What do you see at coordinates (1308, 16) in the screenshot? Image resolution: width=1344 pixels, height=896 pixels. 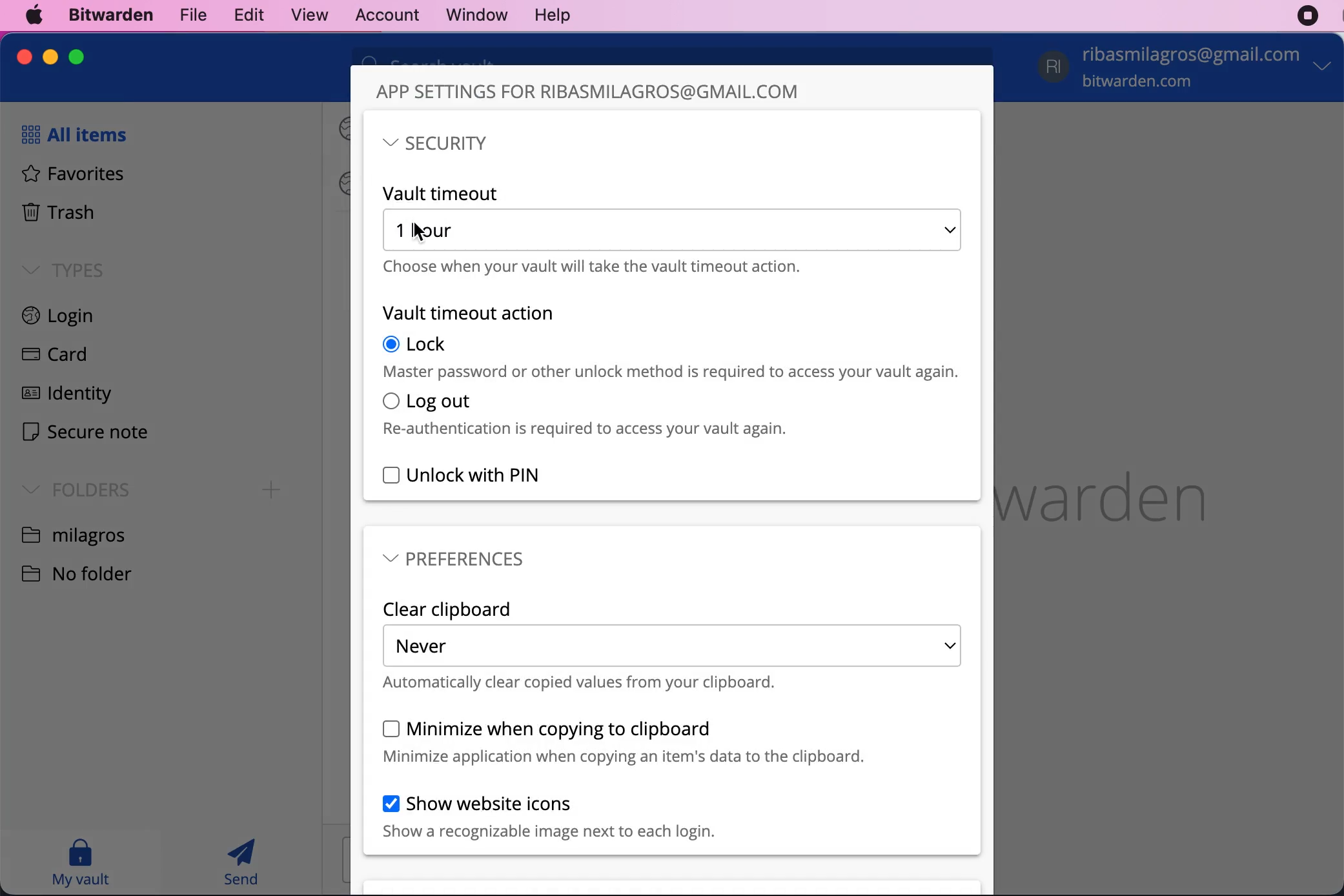 I see `recording stopped` at bounding box center [1308, 16].